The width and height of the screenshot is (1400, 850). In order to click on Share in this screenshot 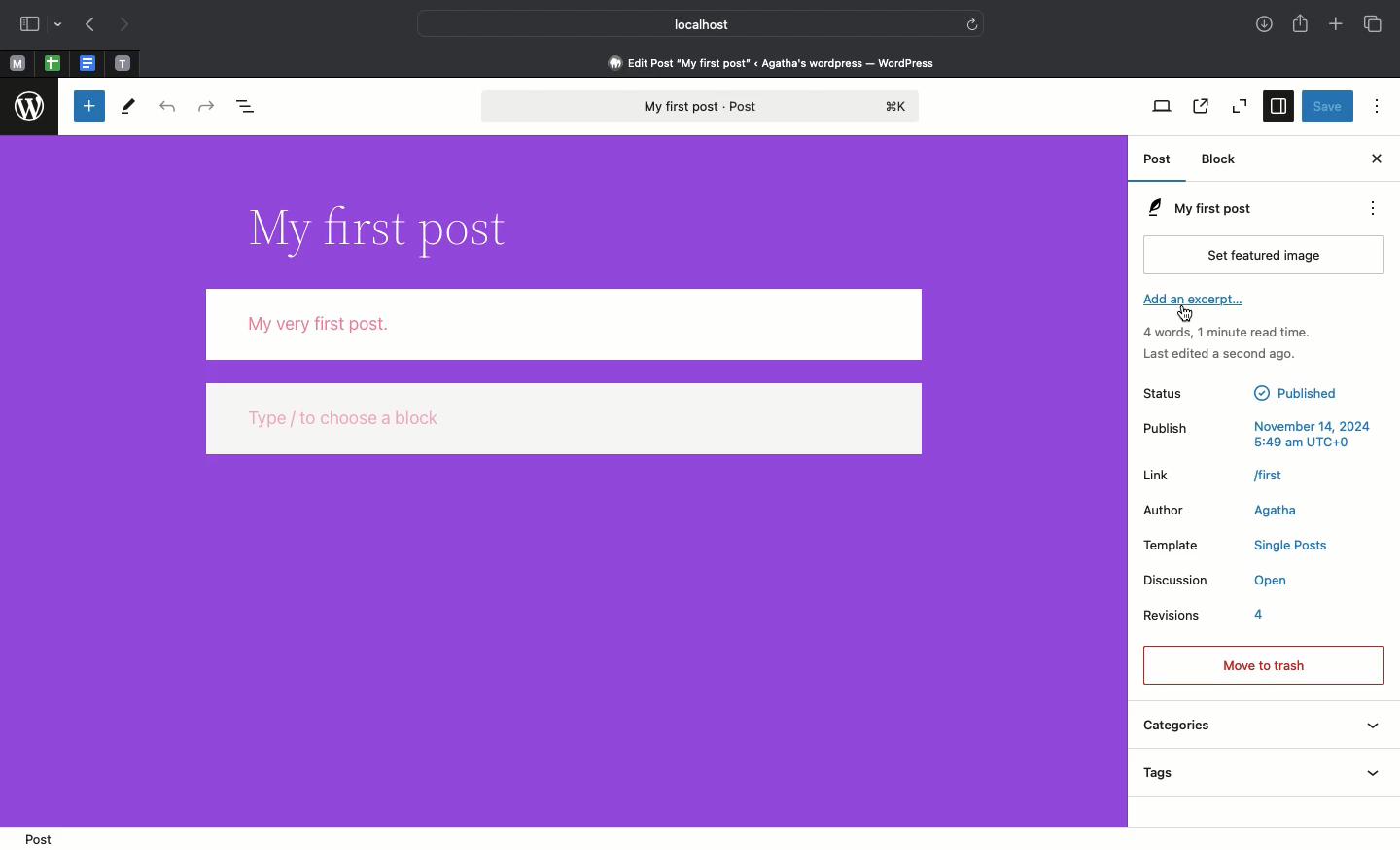, I will do `click(1303, 25)`.